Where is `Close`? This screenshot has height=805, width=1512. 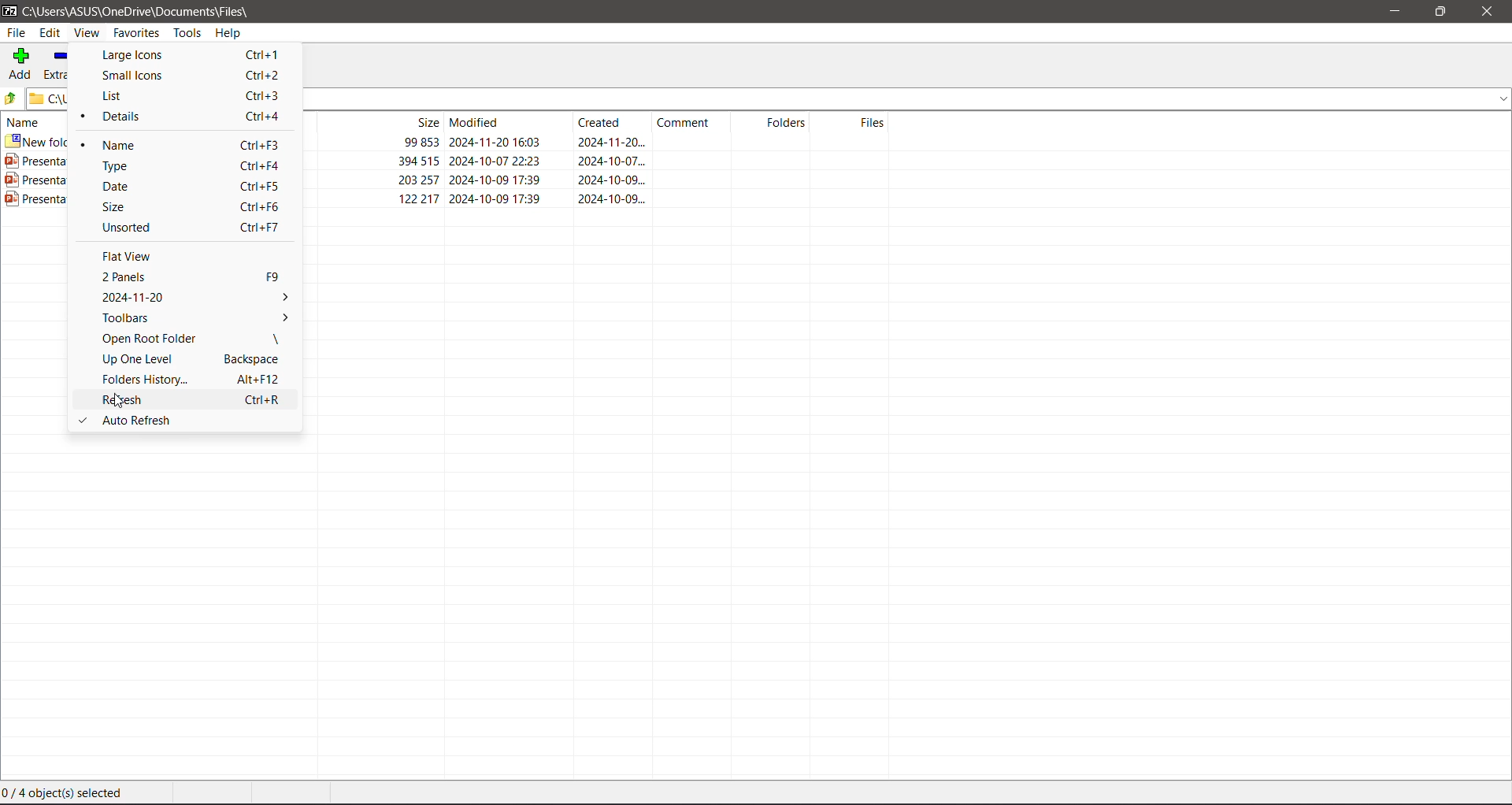 Close is located at coordinates (1488, 12).